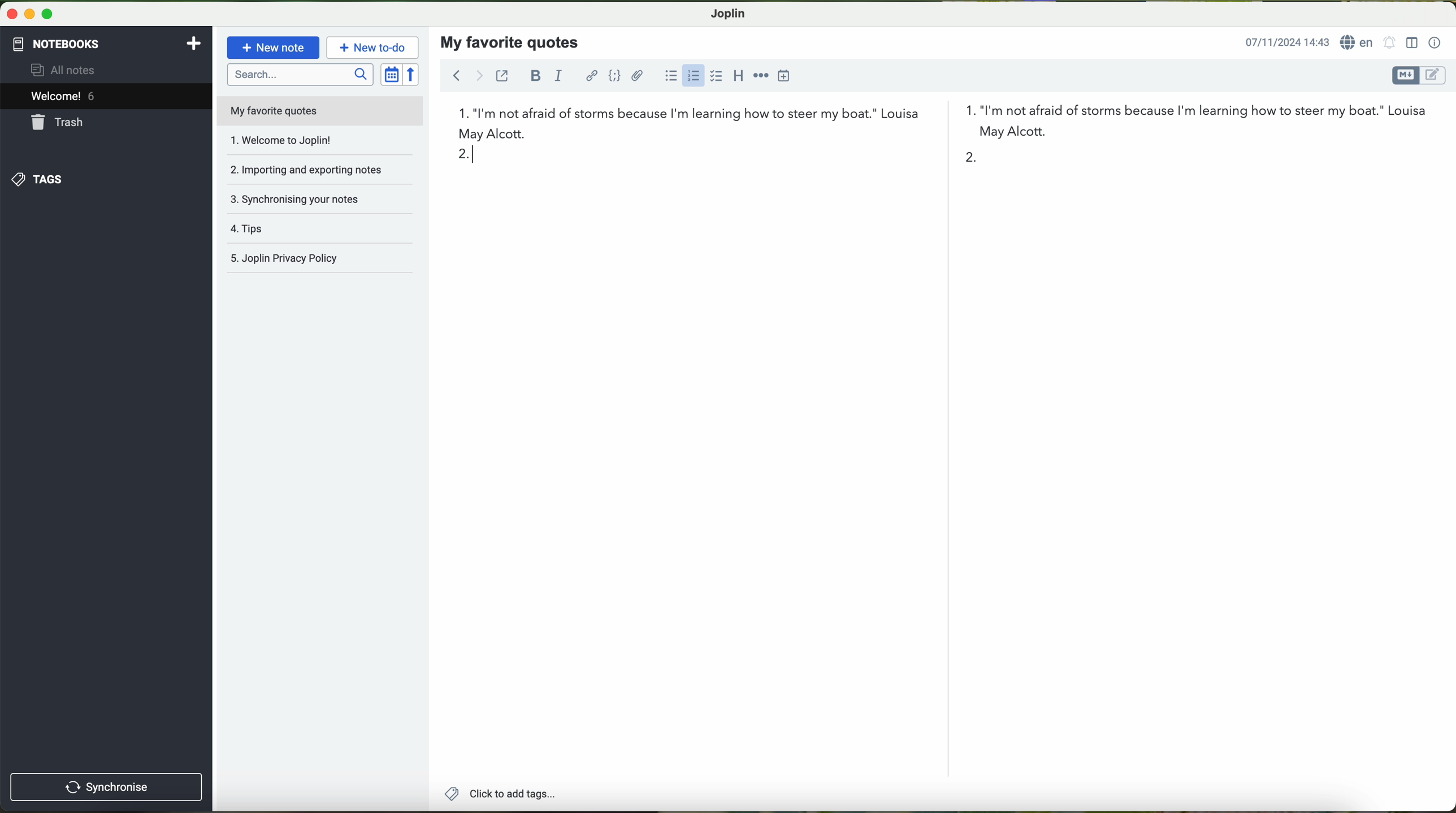  Describe the element at coordinates (500, 795) in the screenshot. I see `add tags` at that location.